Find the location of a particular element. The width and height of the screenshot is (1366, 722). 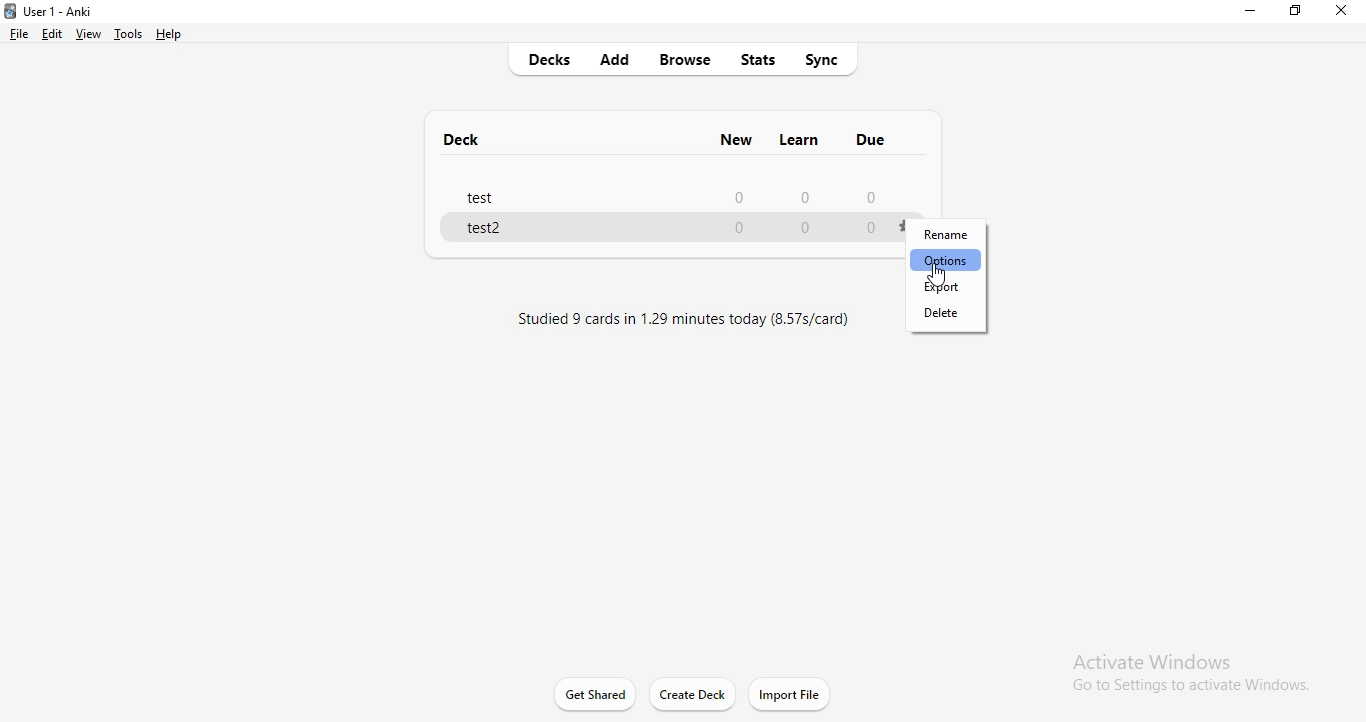

0 is located at coordinates (741, 198).